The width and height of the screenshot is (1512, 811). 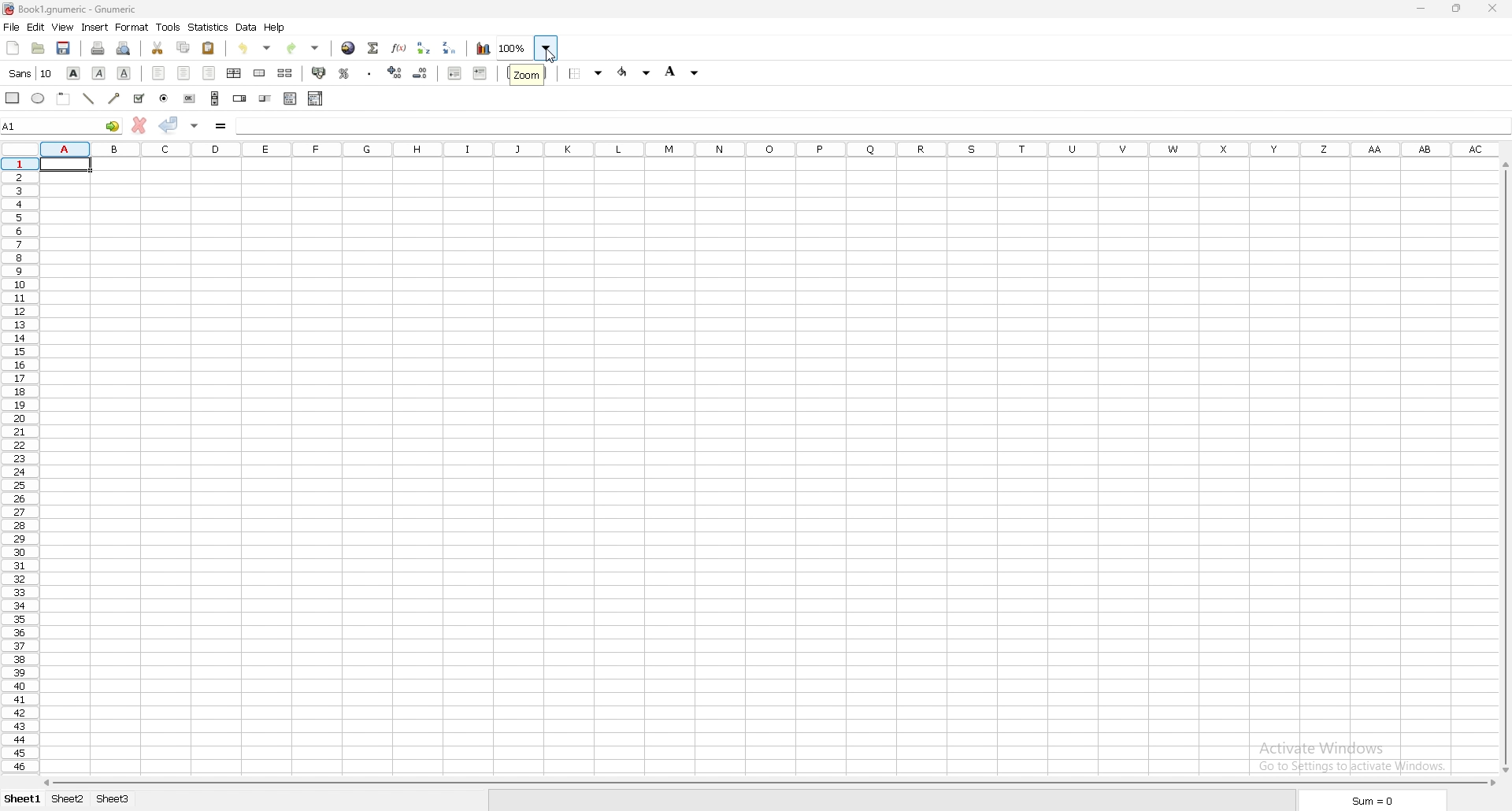 I want to click on Drop down, so click(x=320, y=47).